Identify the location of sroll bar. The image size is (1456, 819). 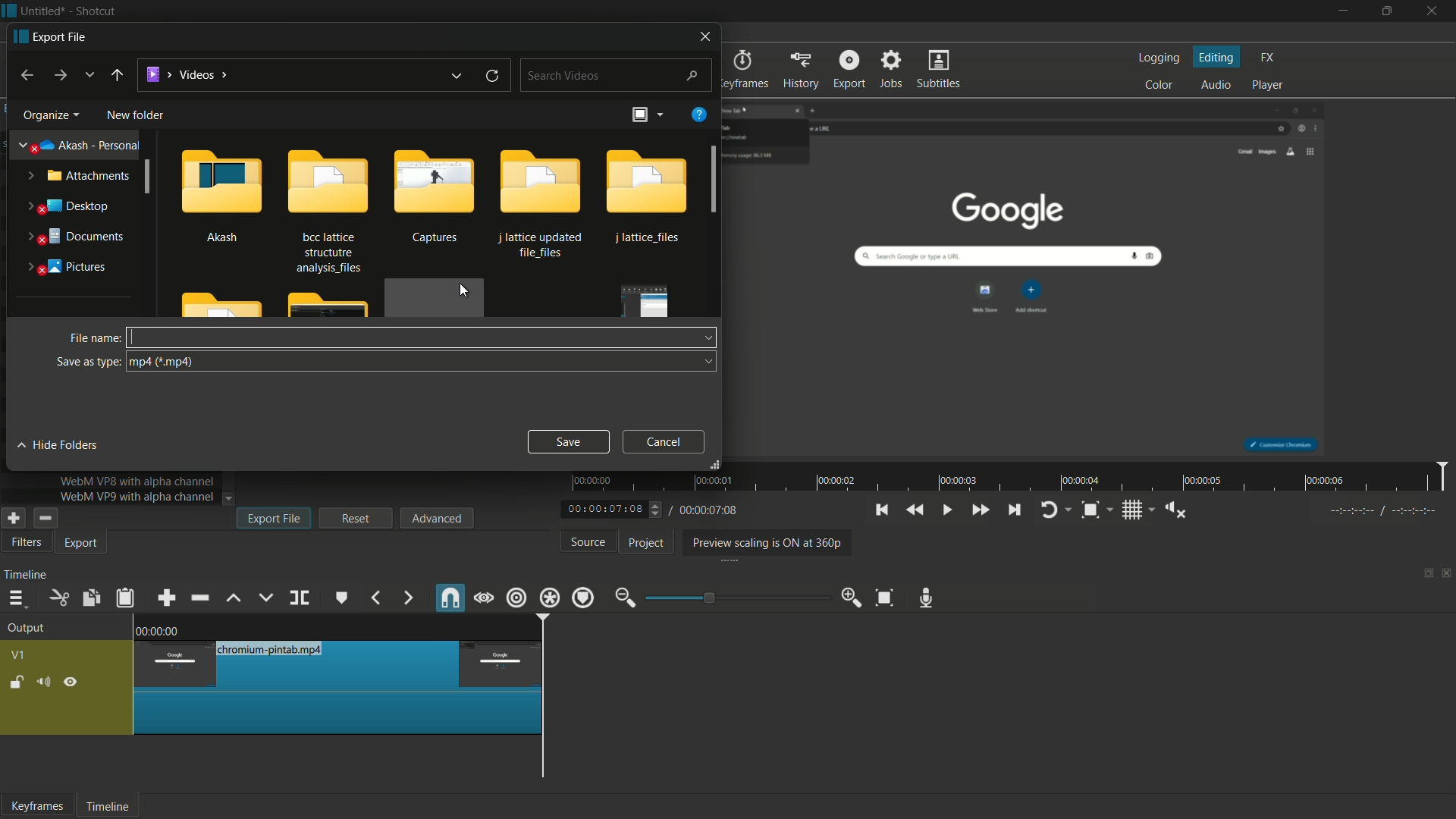
(147, 177).